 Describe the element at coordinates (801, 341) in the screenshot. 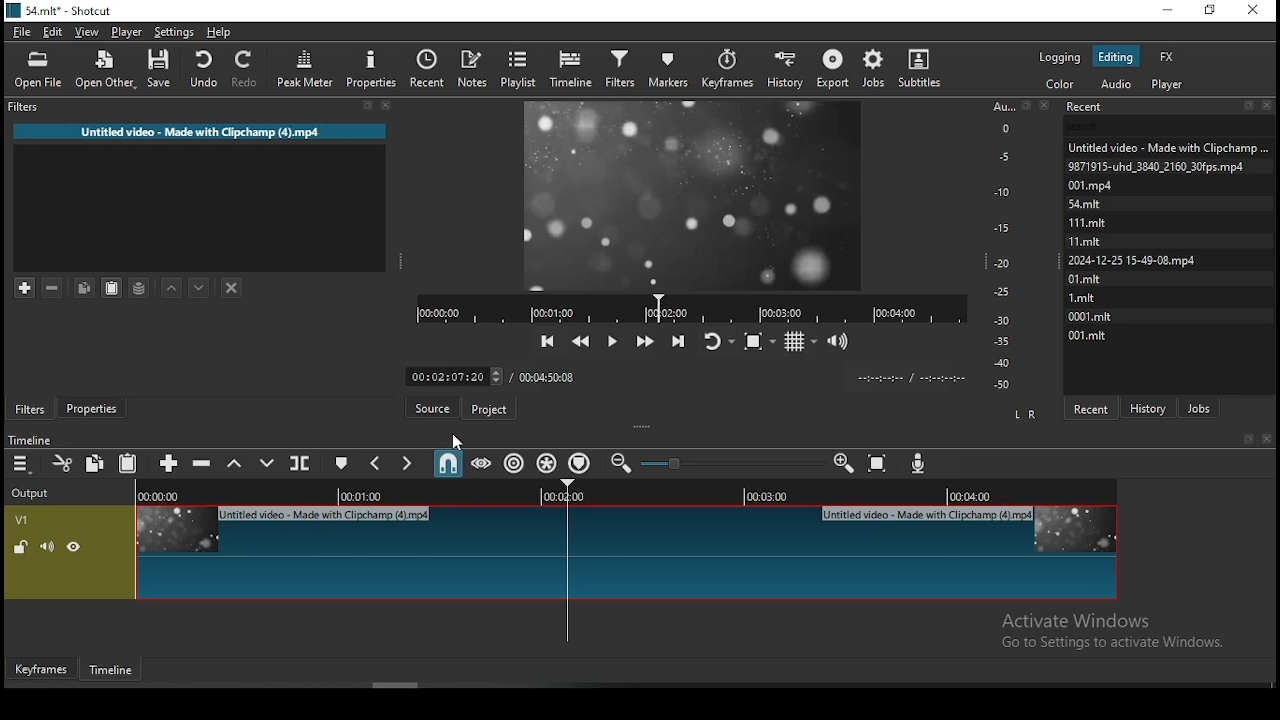

I see `toggle grid display on the player` at that location.